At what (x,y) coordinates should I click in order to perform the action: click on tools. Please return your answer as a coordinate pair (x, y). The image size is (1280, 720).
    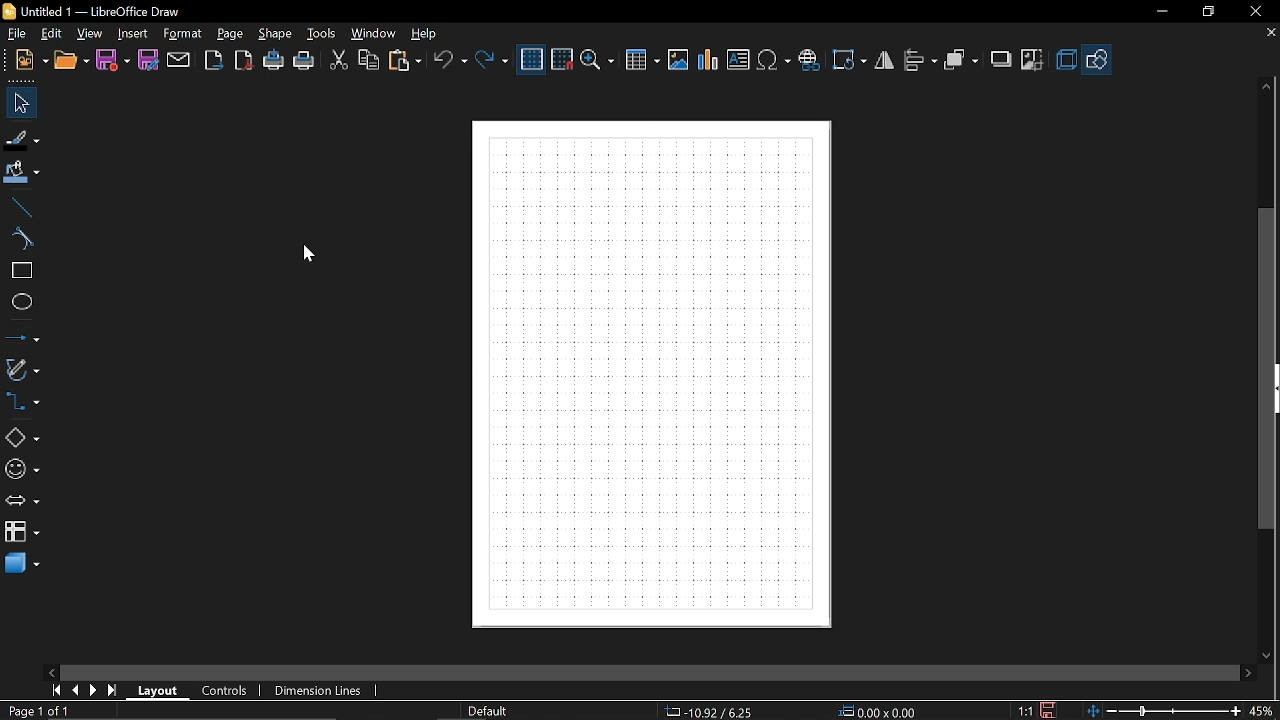
    Looking at the image, I should click on (323, 33).